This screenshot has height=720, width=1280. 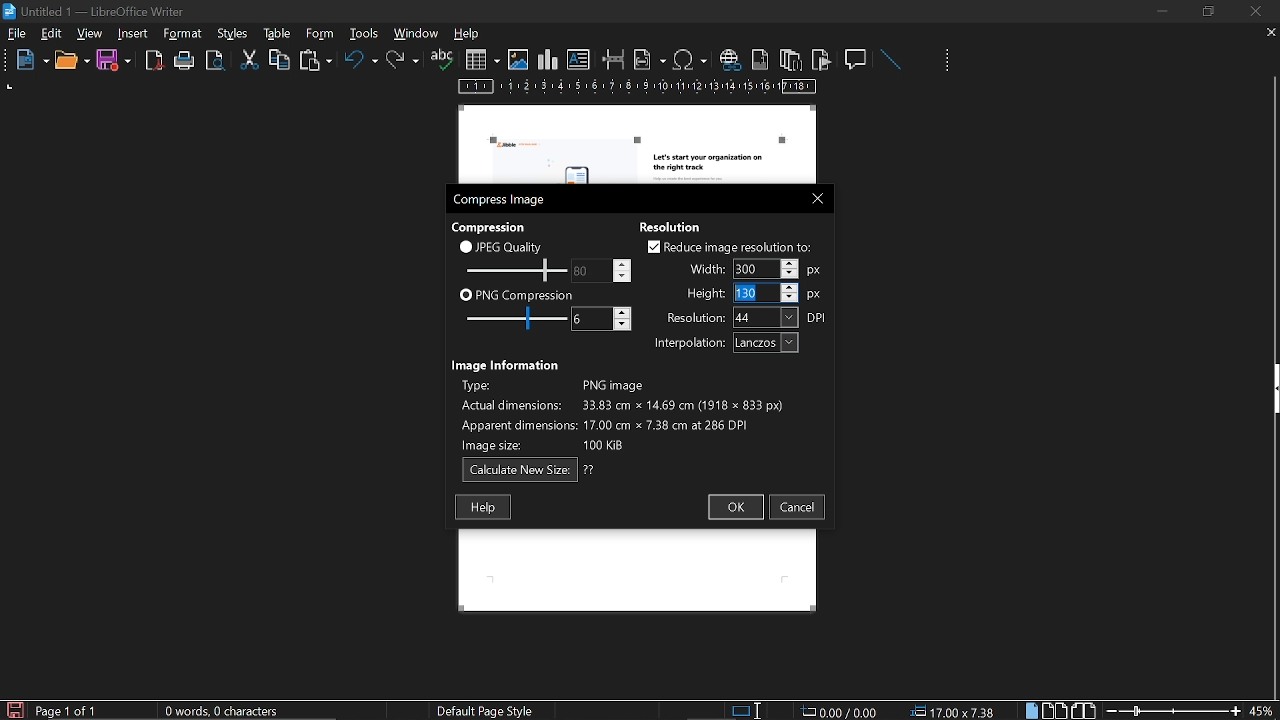 I want to click on insert field, so click(x=650, y=59).